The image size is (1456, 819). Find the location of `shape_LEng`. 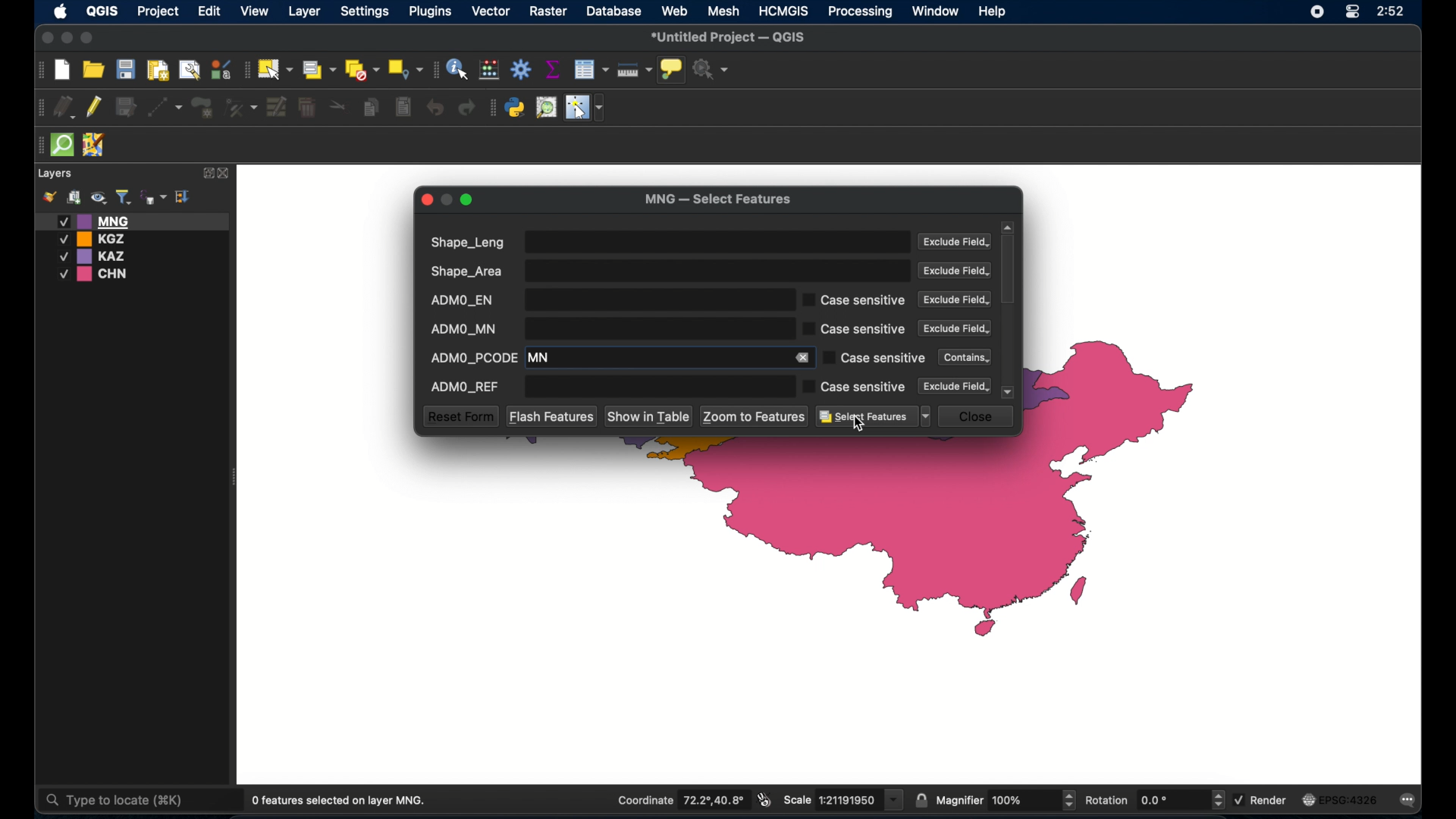

shape_LEng is located at coordinates (667, 242).